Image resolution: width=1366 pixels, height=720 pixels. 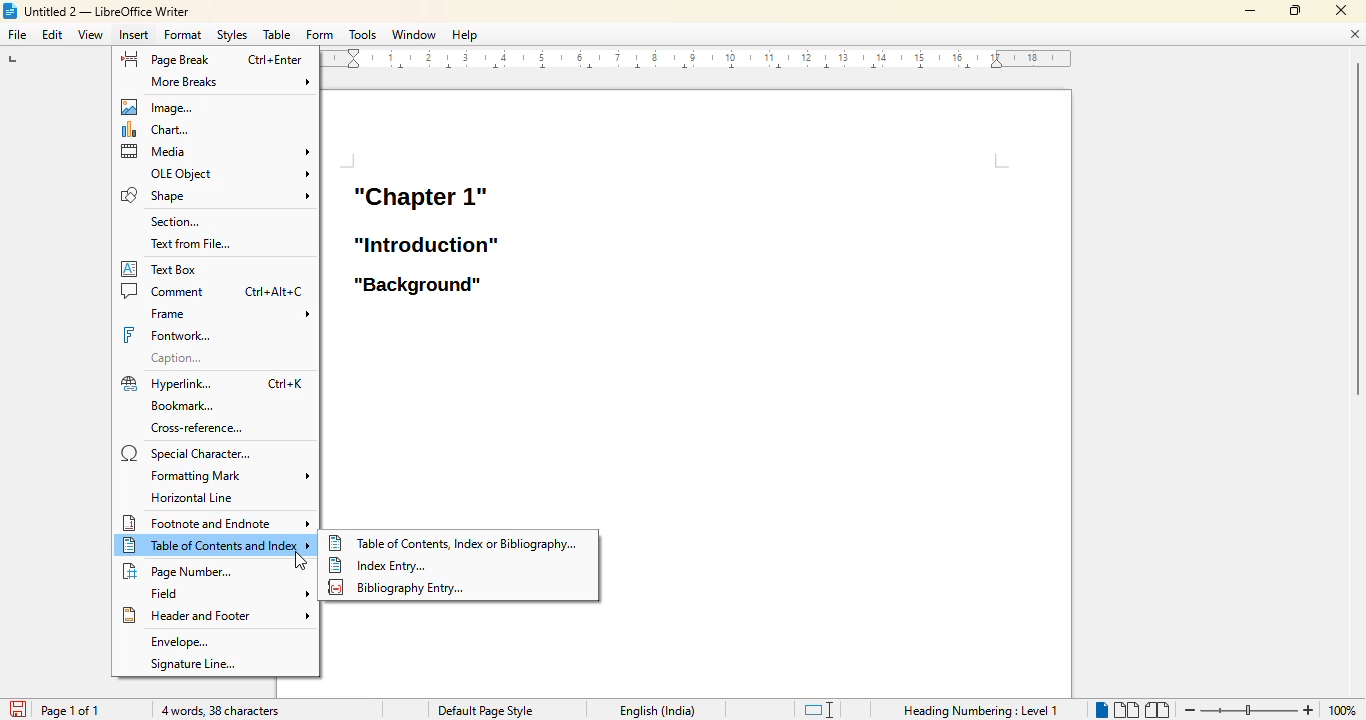 I want to click on text from file, so click(x=190, y=243).